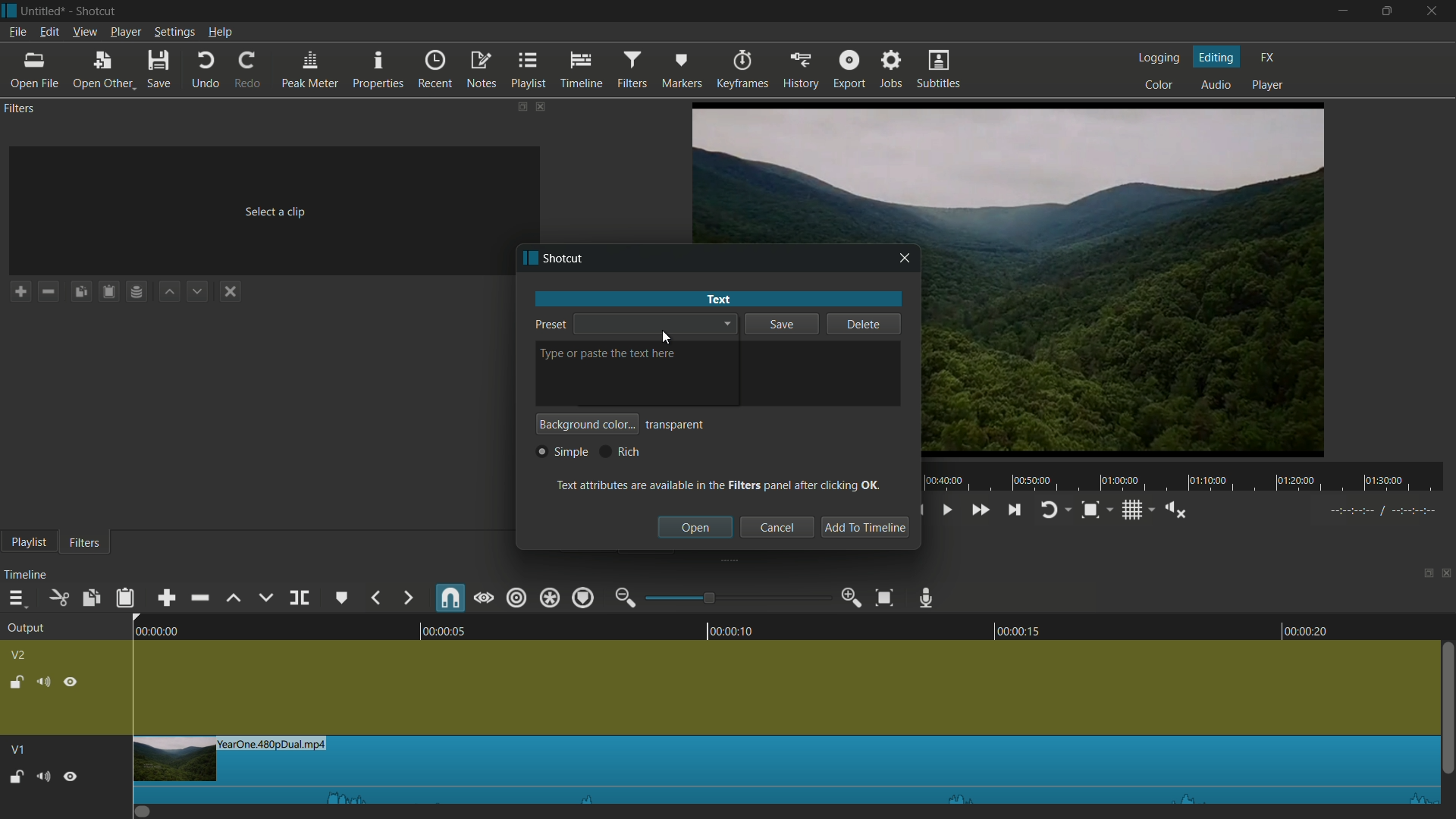  What do you see at coordinates (342, 597) in the screenshot?
I see `create or edit marker` at bounding box center [342, 597].